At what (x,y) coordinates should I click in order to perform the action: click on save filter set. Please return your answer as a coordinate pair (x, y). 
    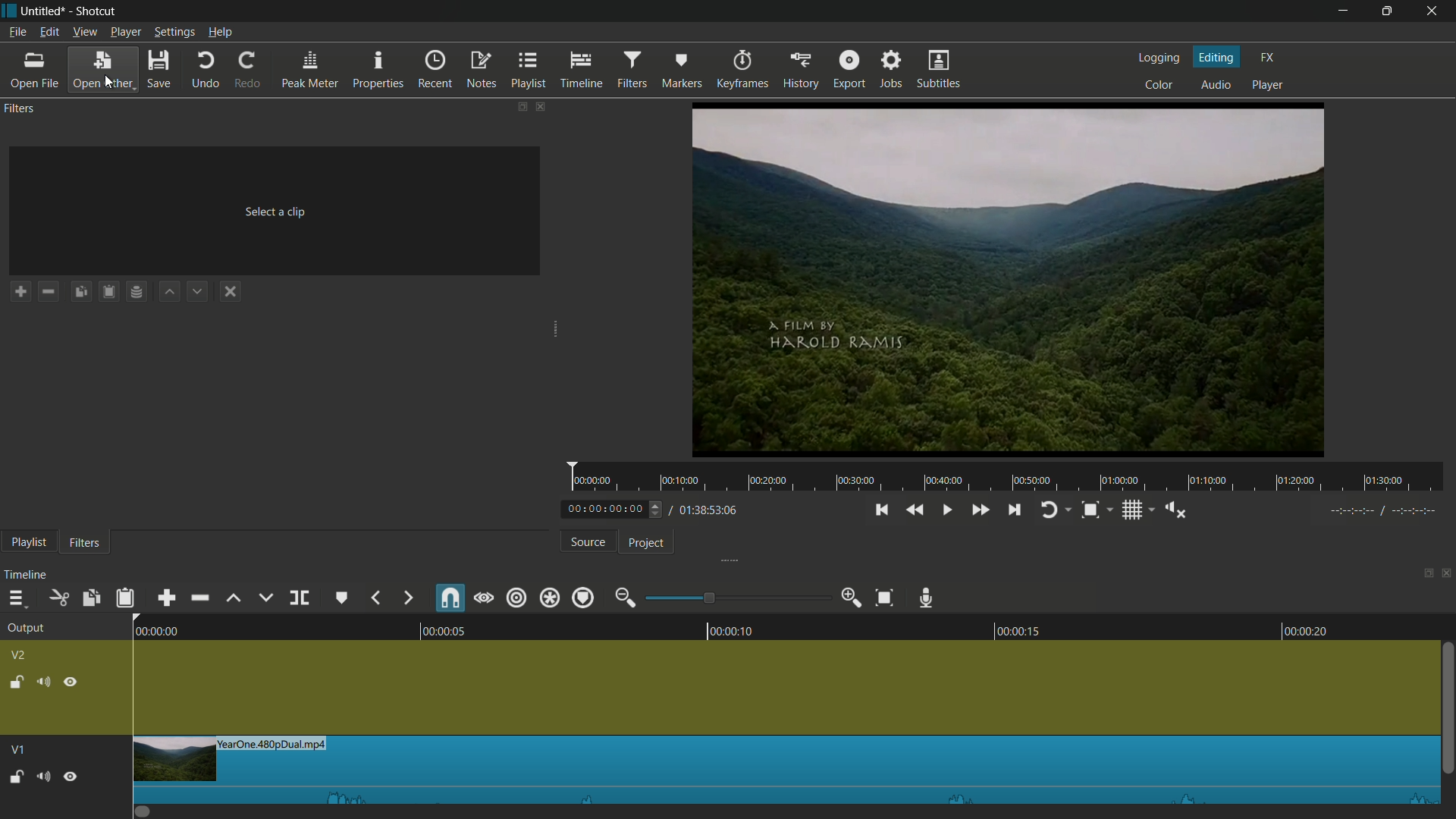
    Looking at the image, I should click on (136, 292).